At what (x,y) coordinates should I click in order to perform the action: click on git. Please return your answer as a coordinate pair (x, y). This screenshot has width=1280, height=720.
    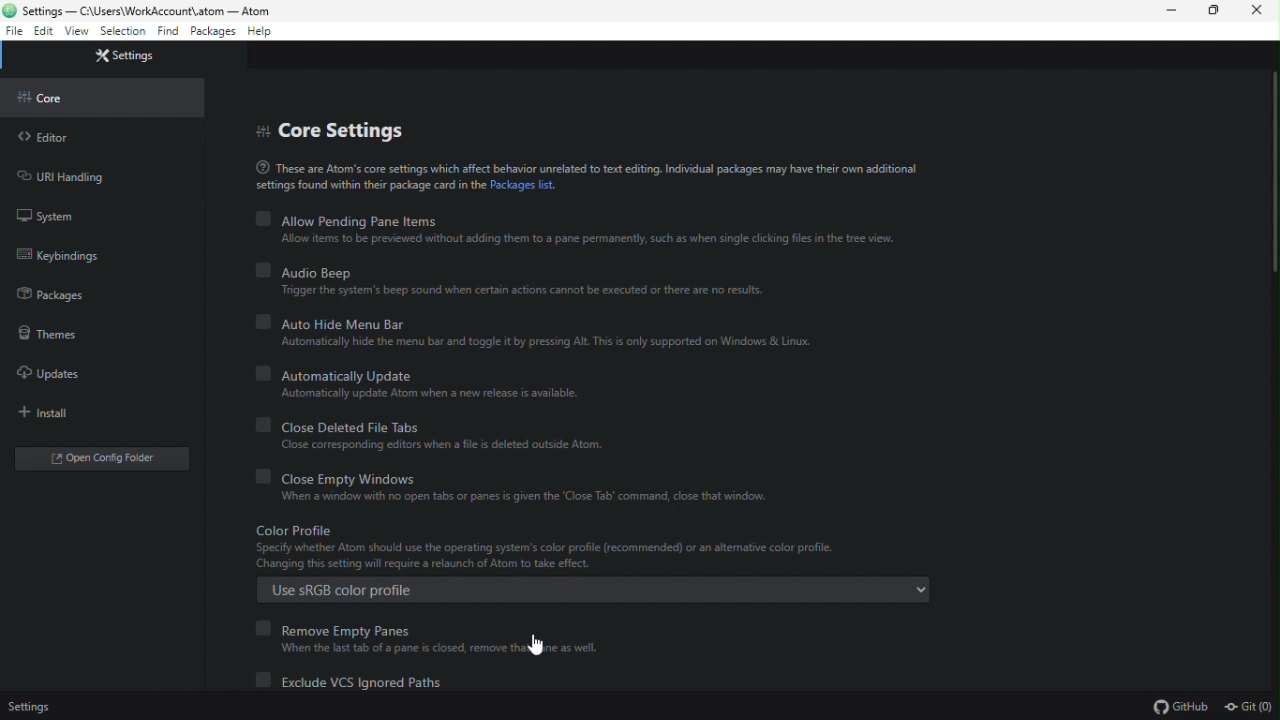
    Looking at the image, I should click on (1250, 705).